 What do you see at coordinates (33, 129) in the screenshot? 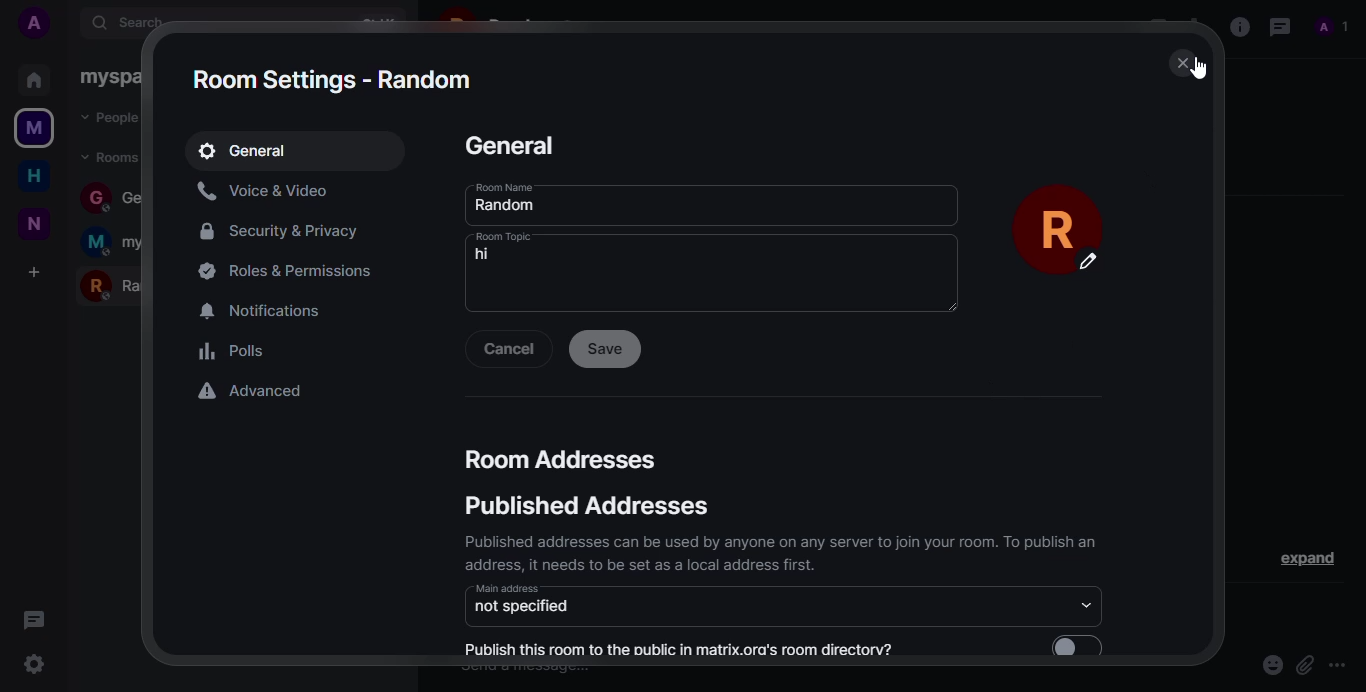
I see `myspace` at bounding box center [33, 129].